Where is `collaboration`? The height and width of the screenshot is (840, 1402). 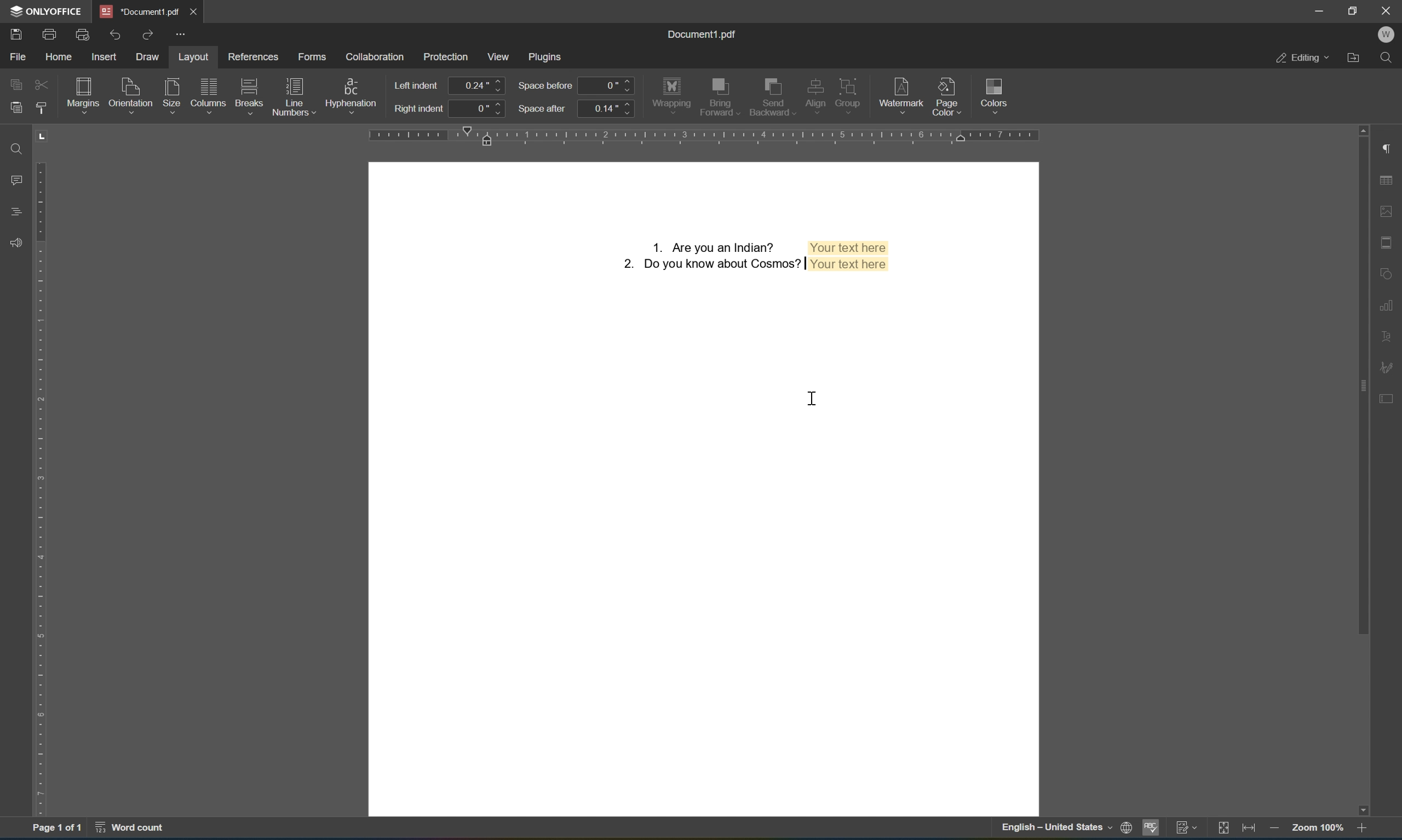 collaboration is located at coordinates (378, 56).